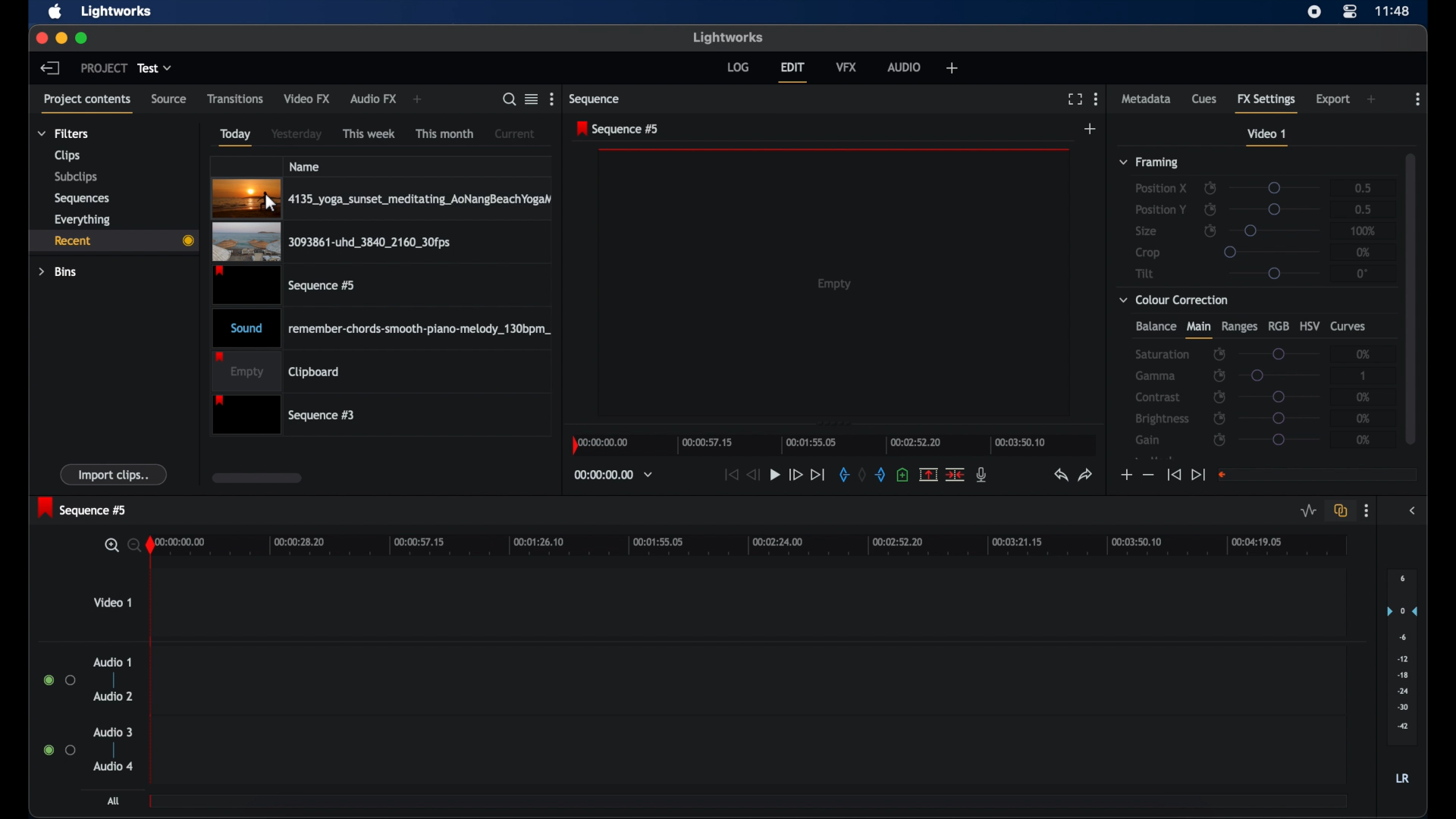 This screenshot has width=1456, height=819. Describe the element at coordinates (1268, 137) in the screenshot. I see `video 1` at that location.